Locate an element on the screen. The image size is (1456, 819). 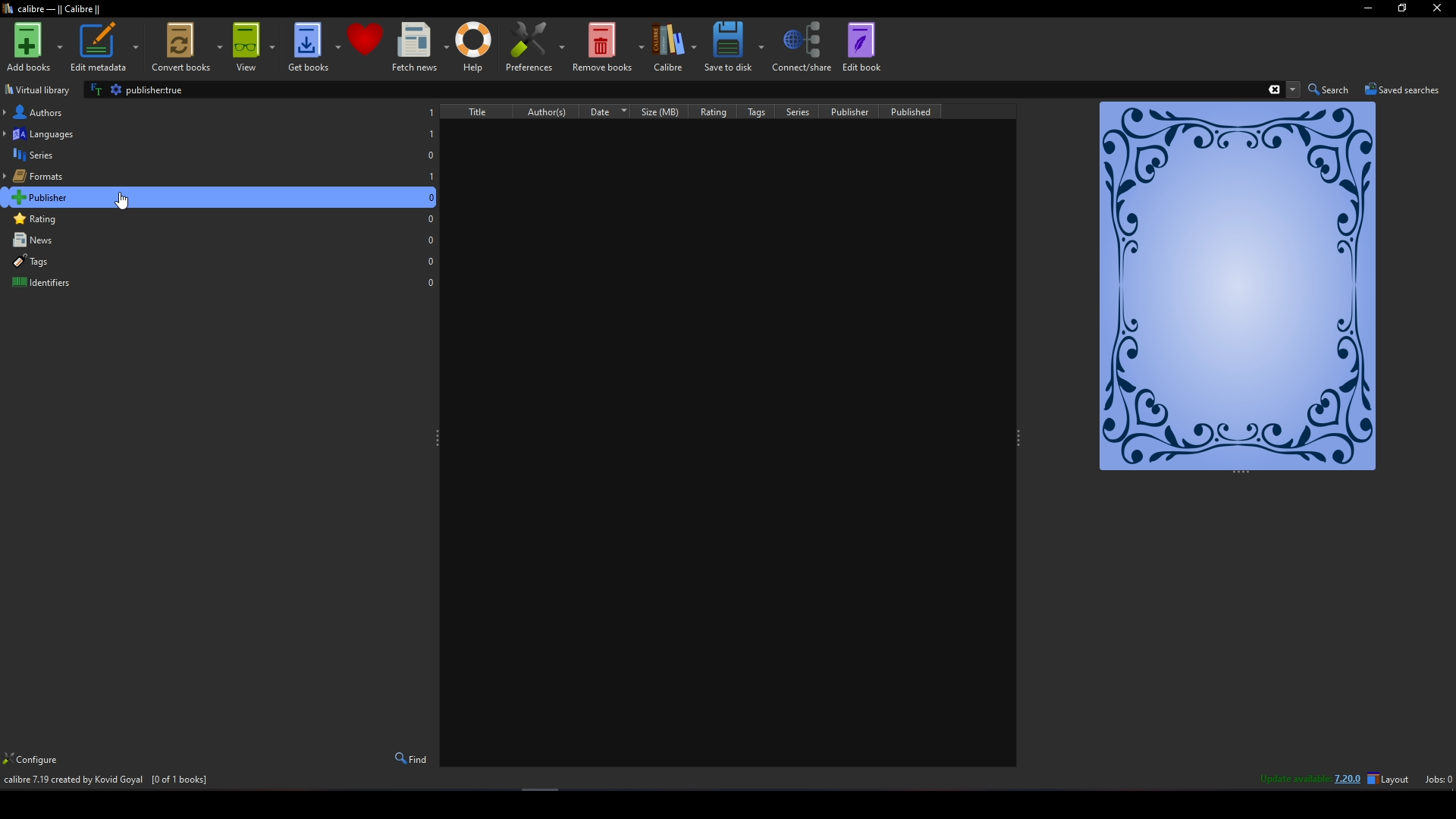
Tags is located at coordinates (221, 261).